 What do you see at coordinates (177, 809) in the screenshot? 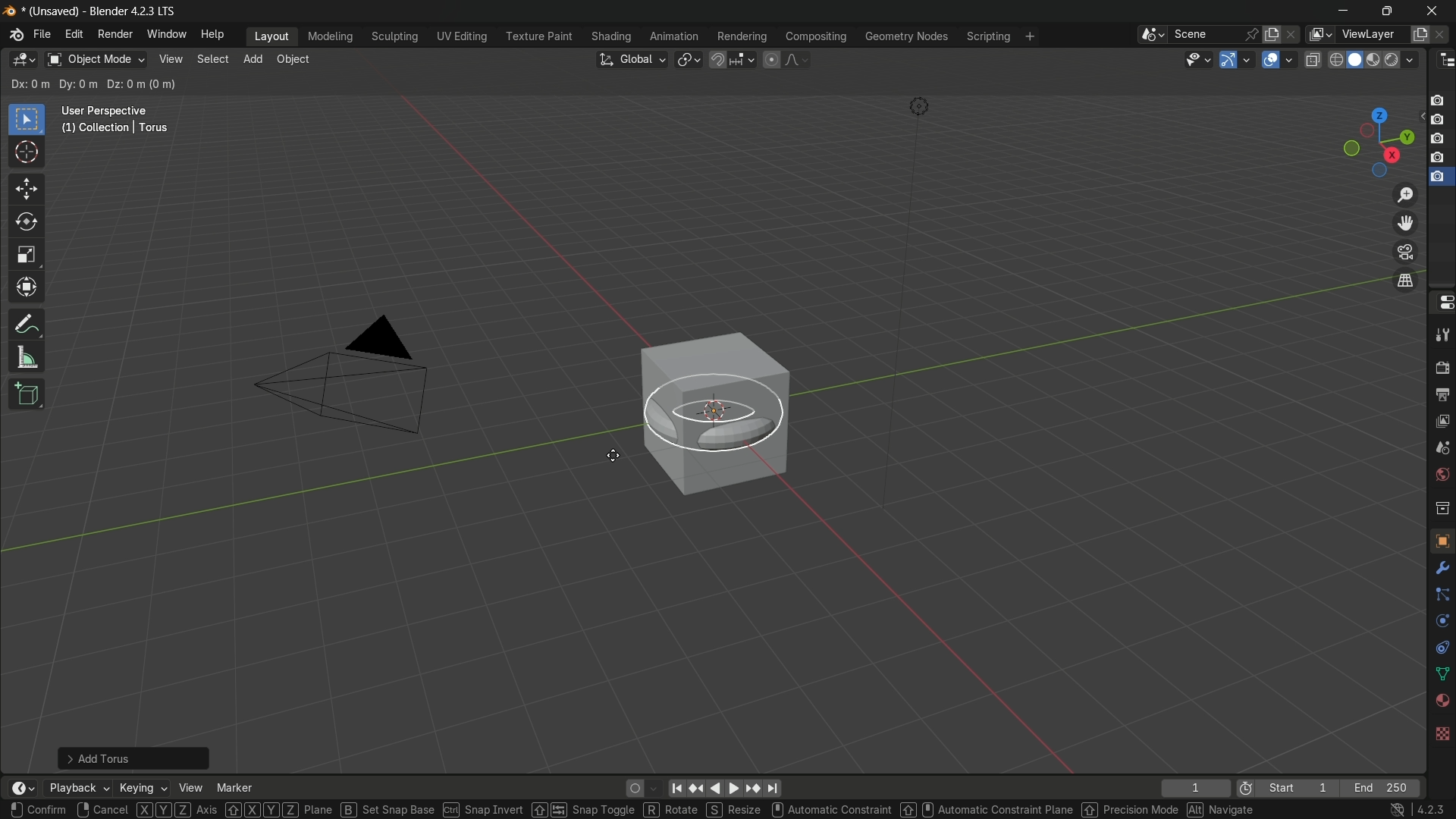
I see `Axis` at bounding box center [177, 809].